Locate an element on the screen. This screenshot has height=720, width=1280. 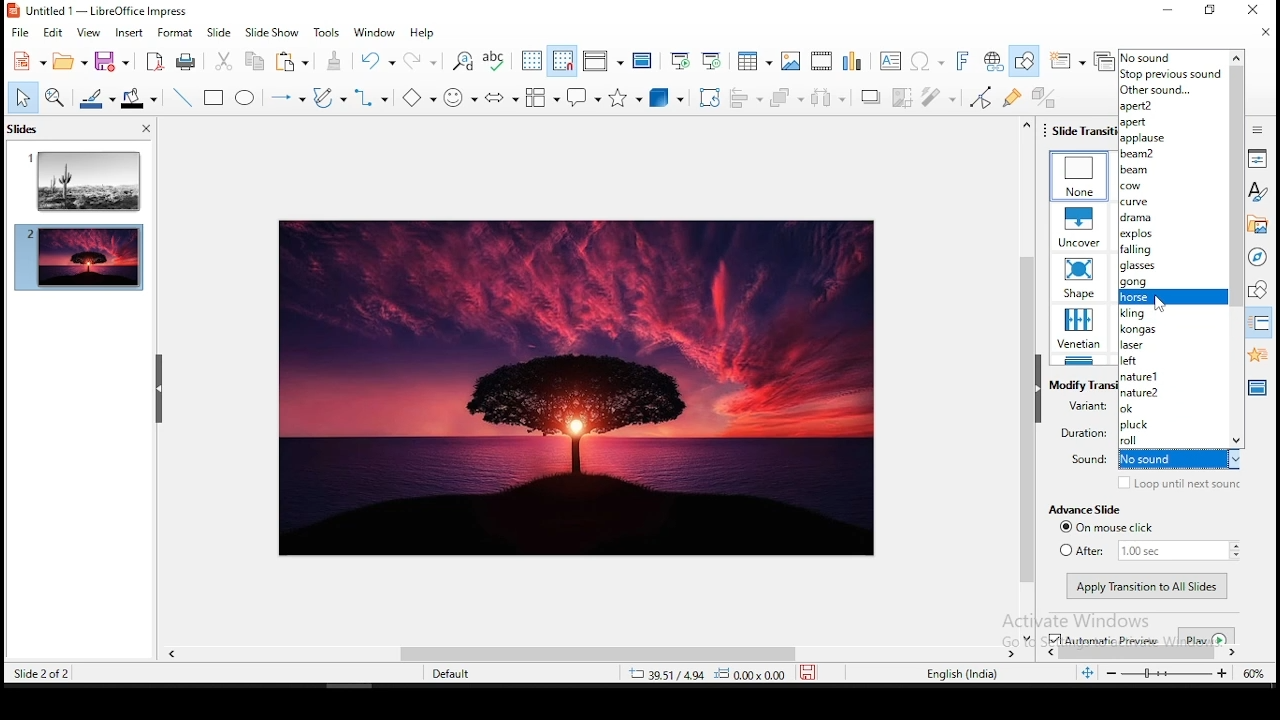
image is located at coordinates (578, 389).